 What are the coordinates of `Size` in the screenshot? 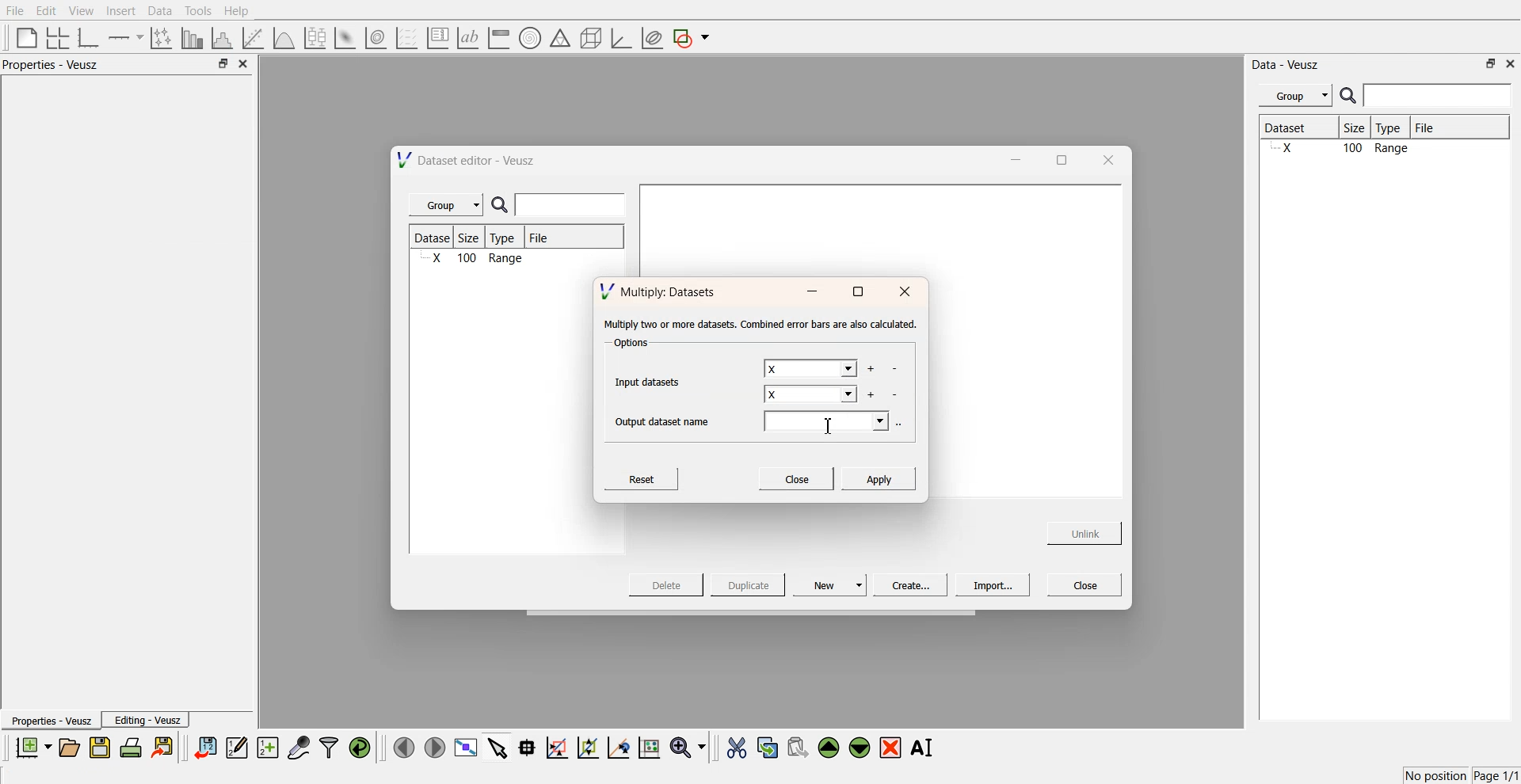 It's located at (1359, 129).